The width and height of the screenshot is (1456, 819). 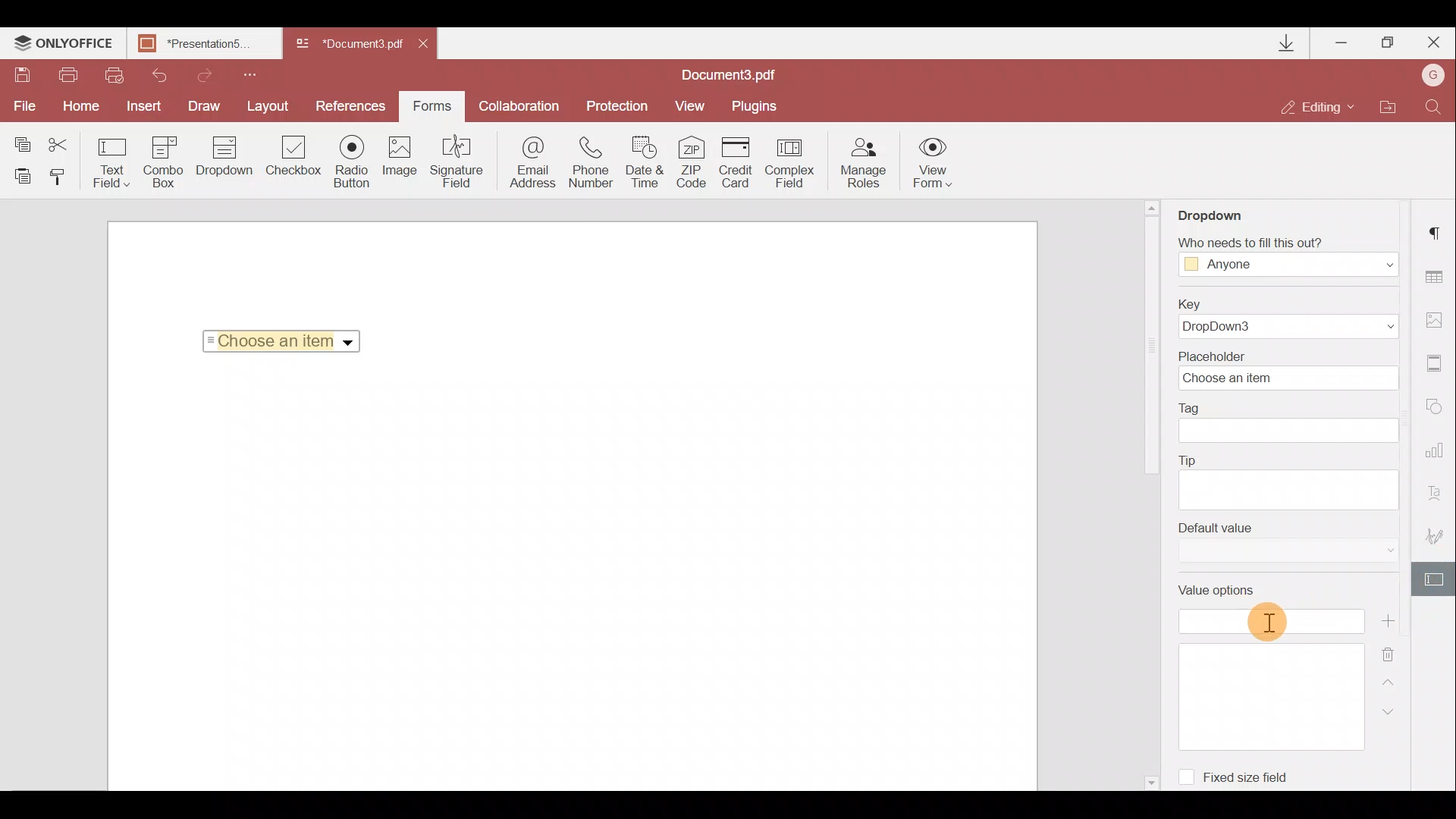 I want to click on Redo, so click(x=206, y=74).